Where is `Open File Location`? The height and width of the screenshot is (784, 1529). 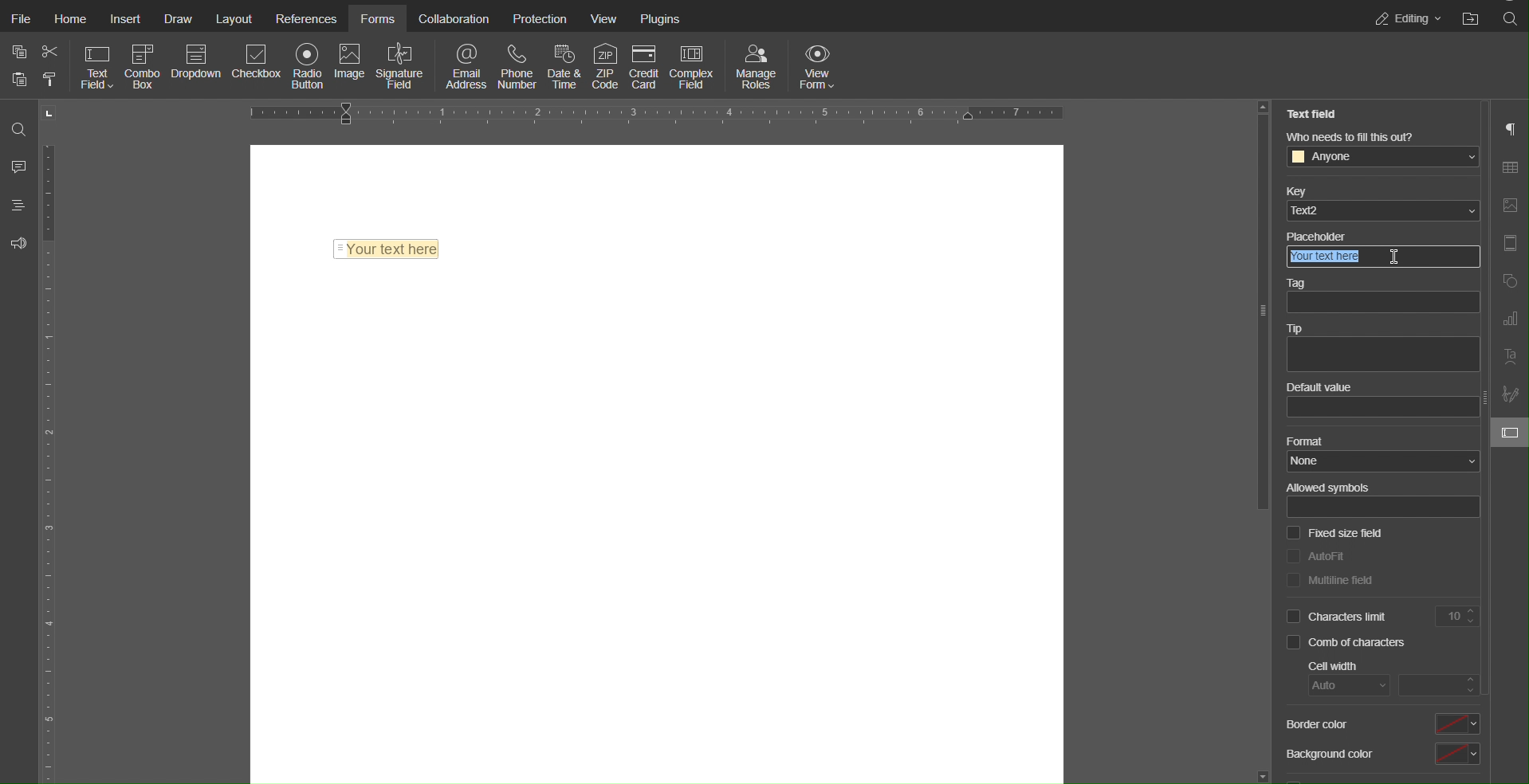 Open File Location is located at coordinates (1472, 17).